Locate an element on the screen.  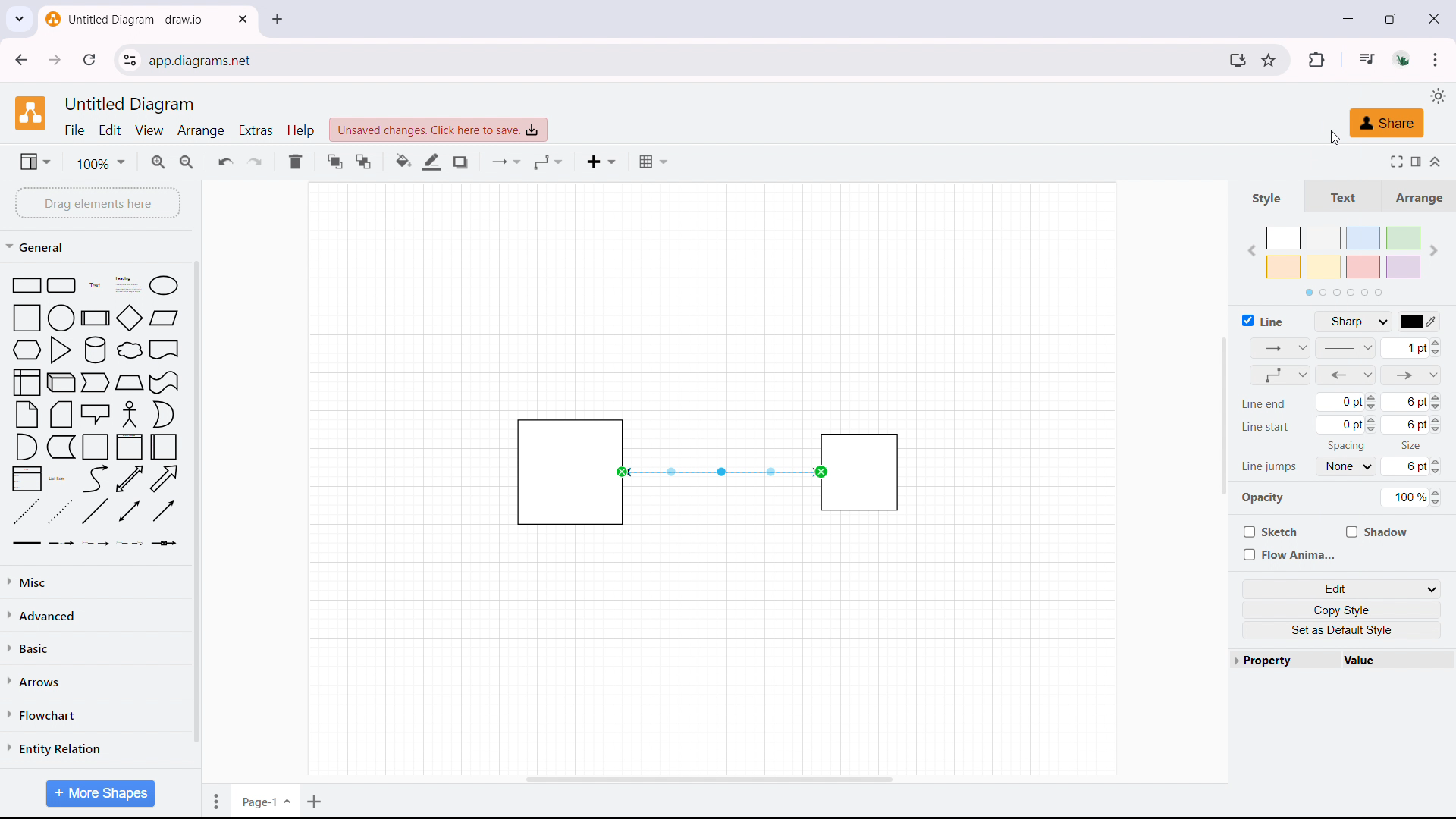
edit is located at coordinates (1342, 588).